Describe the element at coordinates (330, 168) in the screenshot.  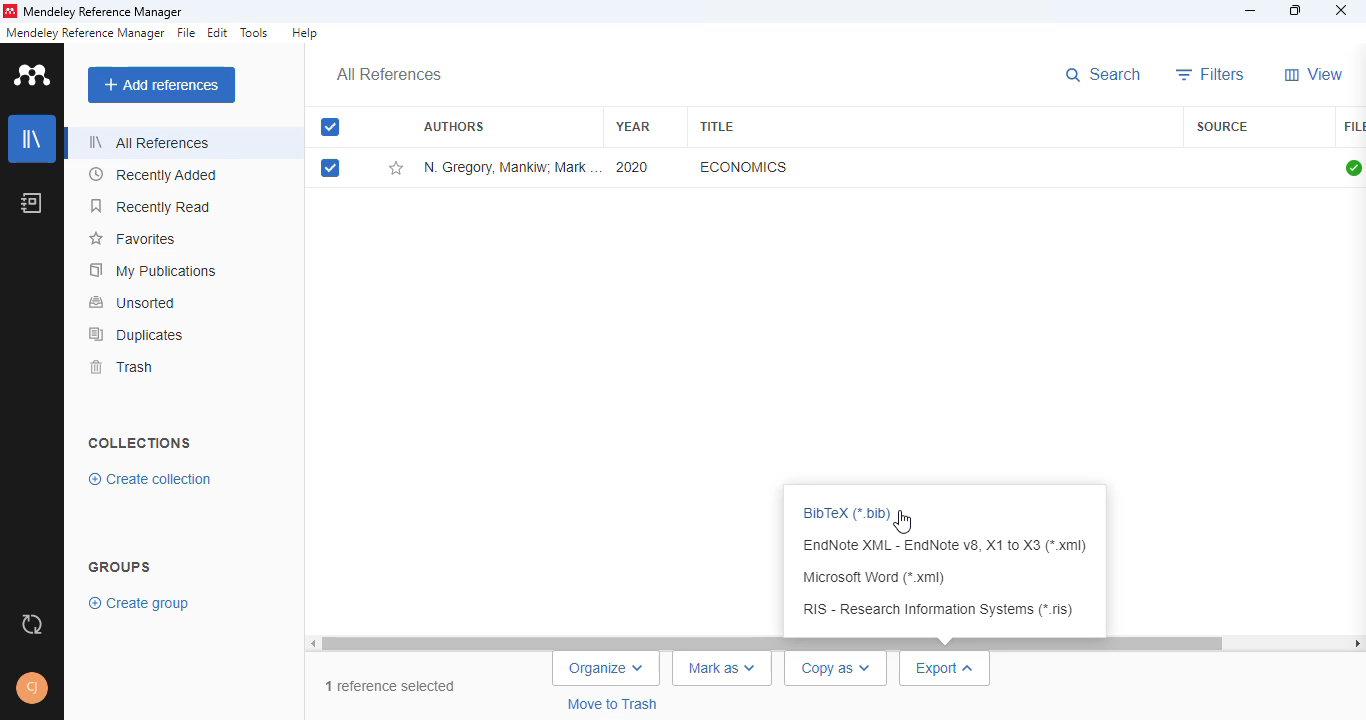
I see `selected` at that location.